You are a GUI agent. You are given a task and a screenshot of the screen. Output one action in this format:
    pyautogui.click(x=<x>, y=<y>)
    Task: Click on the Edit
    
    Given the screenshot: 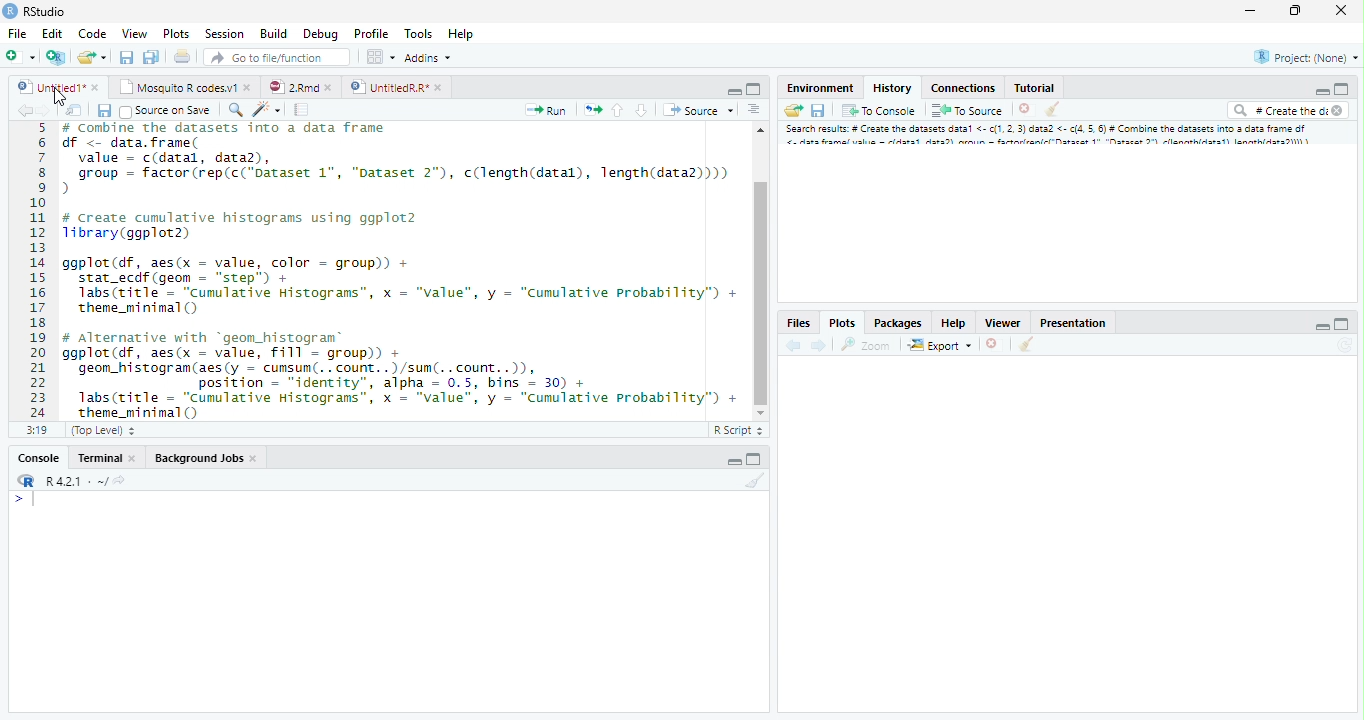 What is the action you would take?
    pyautogui.click(x=53, y=35)
    